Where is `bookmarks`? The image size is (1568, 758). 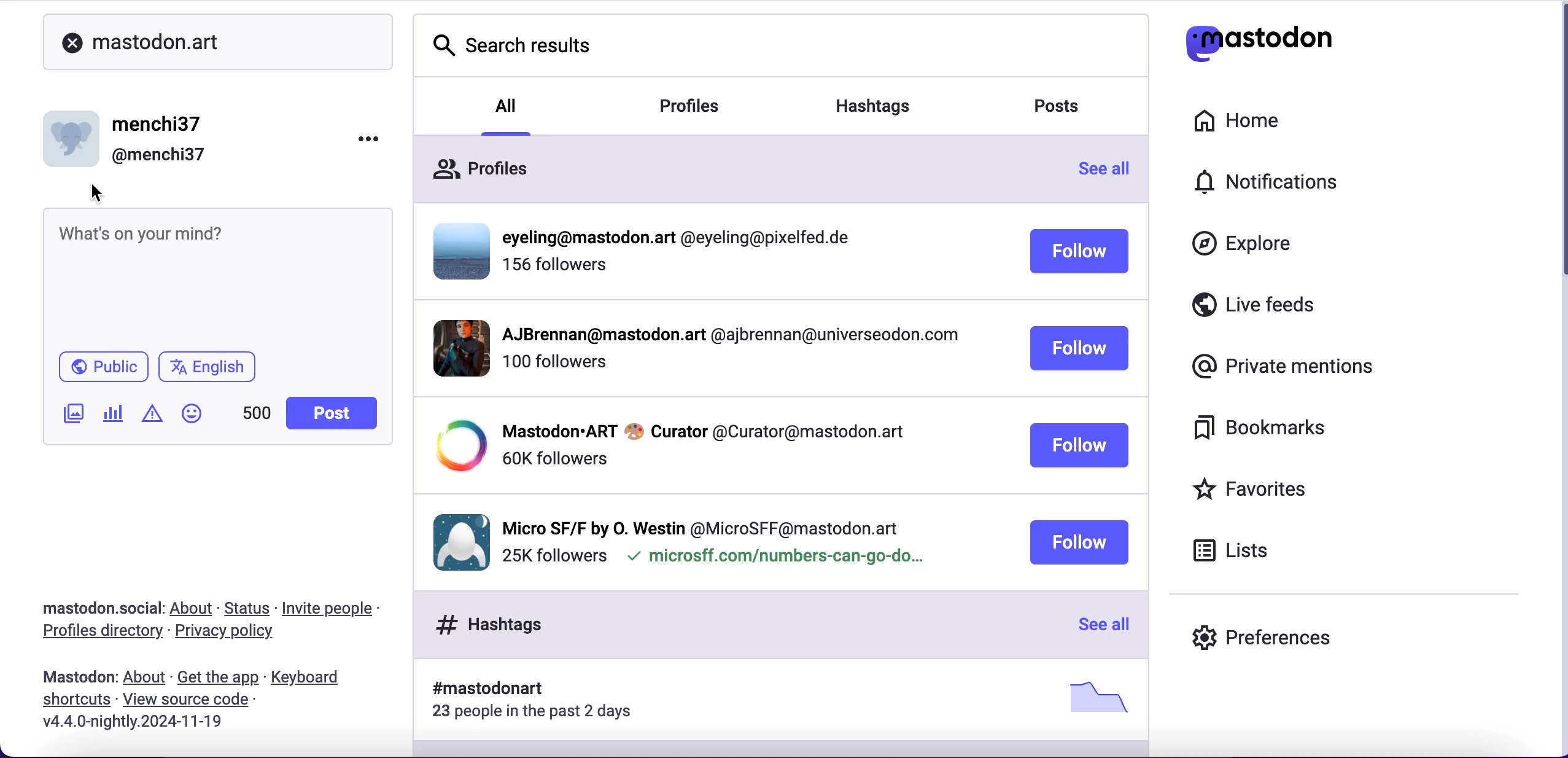 bookmarks is located at coordinates (1262, 428).